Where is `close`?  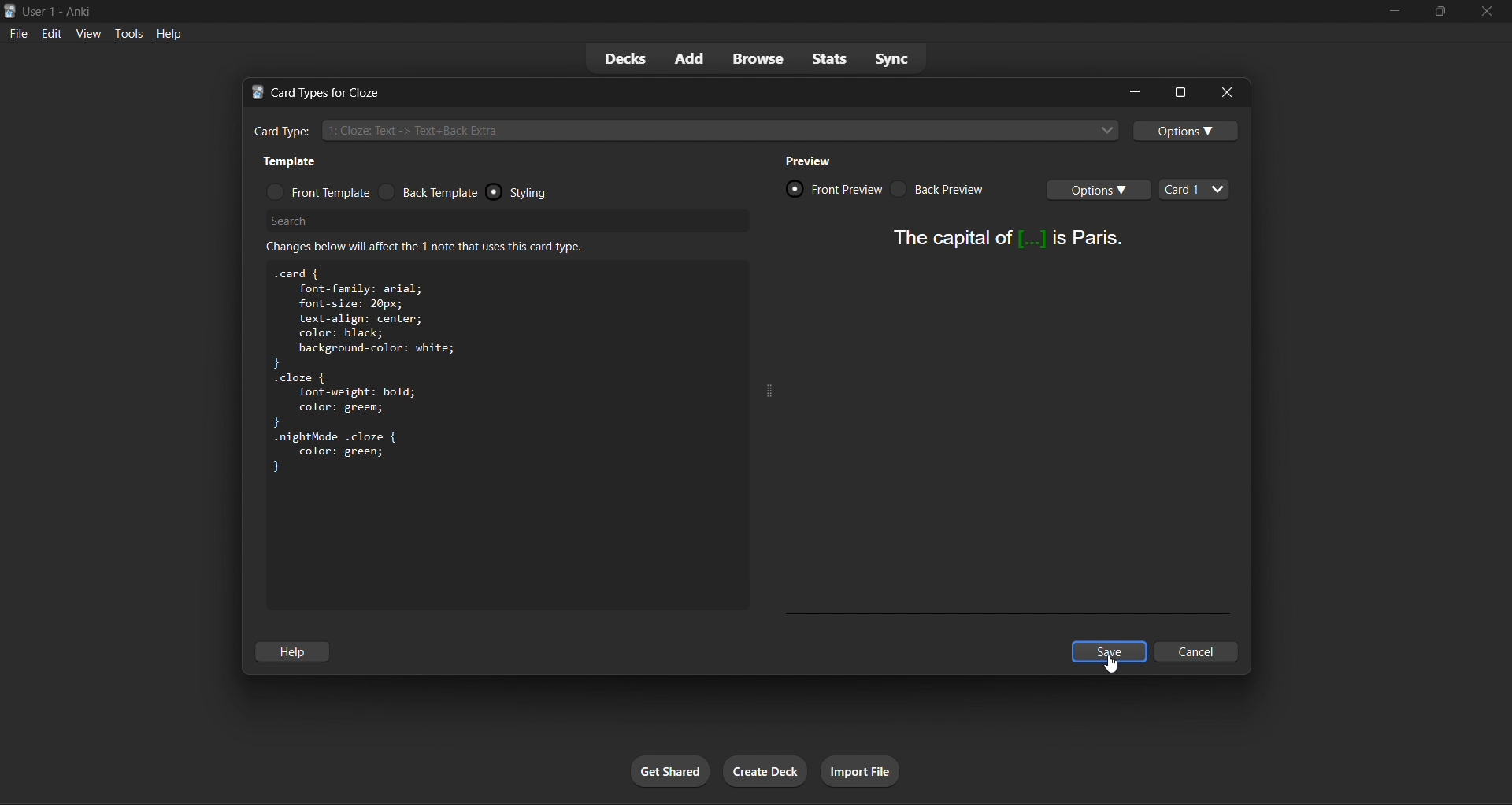 close is located at coordinates (1485, 10).